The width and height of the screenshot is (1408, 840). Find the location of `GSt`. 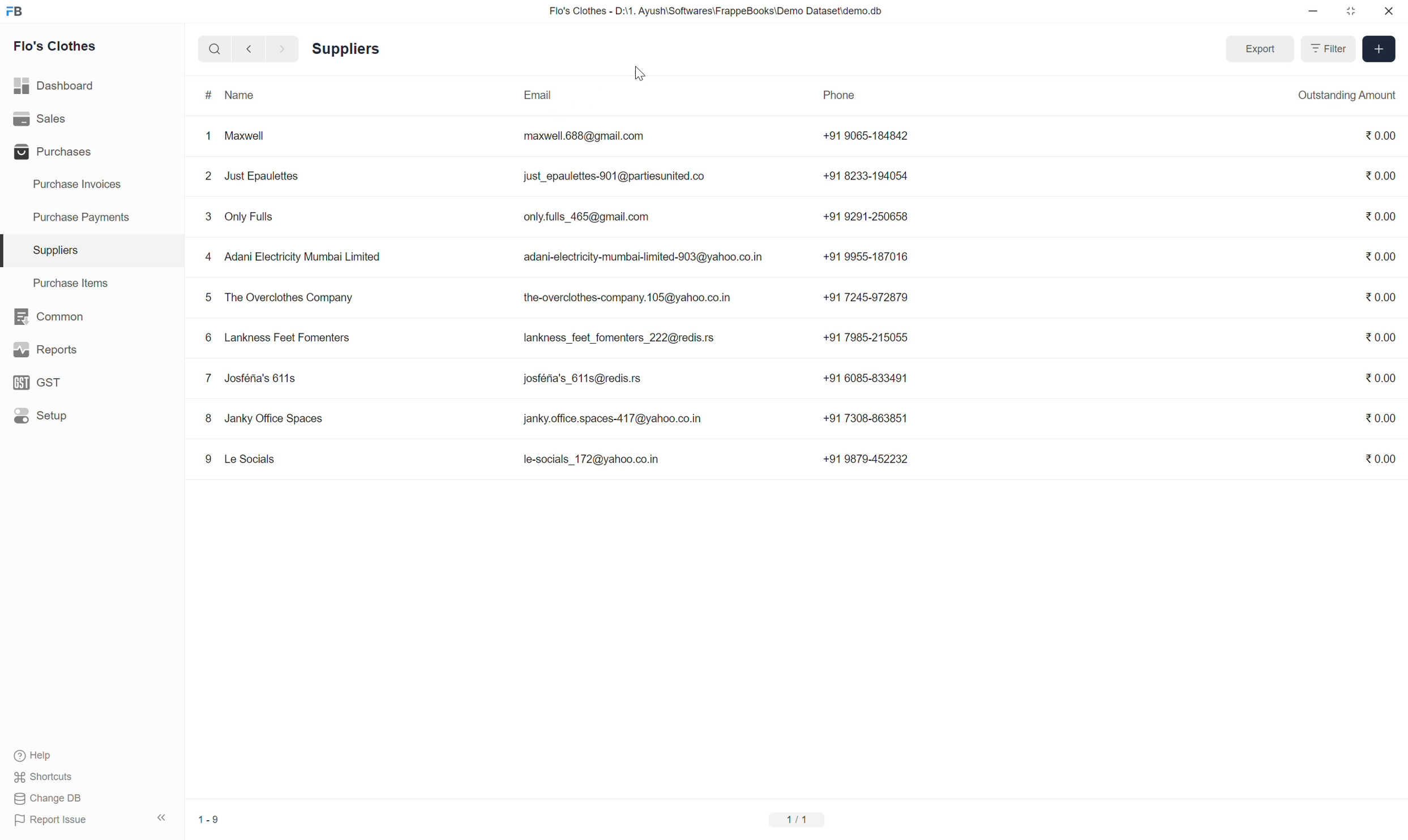

GSt is located at coordinates (39, 383).